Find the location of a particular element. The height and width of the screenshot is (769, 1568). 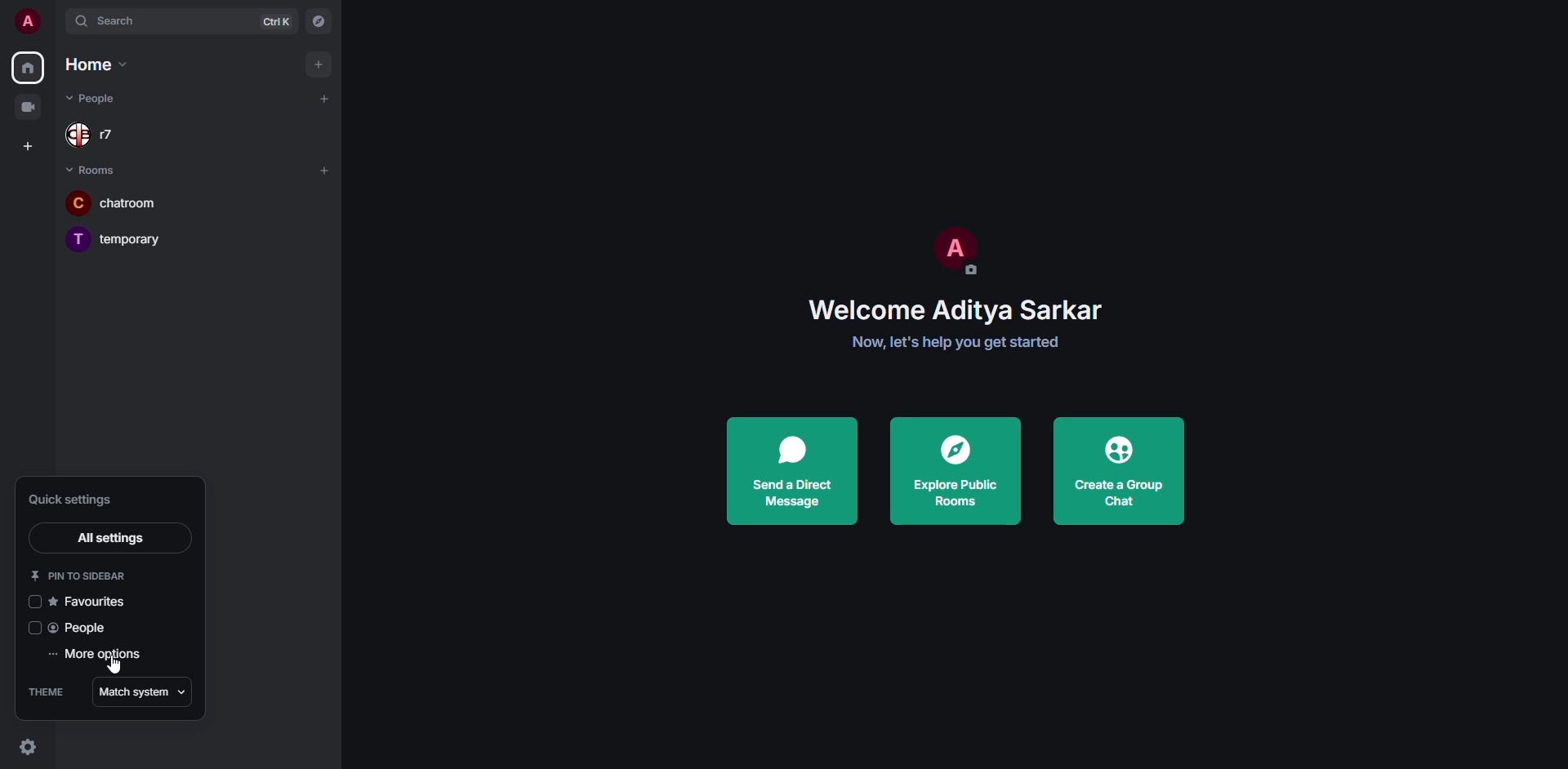

welcome is located at coordinates (959, 311).